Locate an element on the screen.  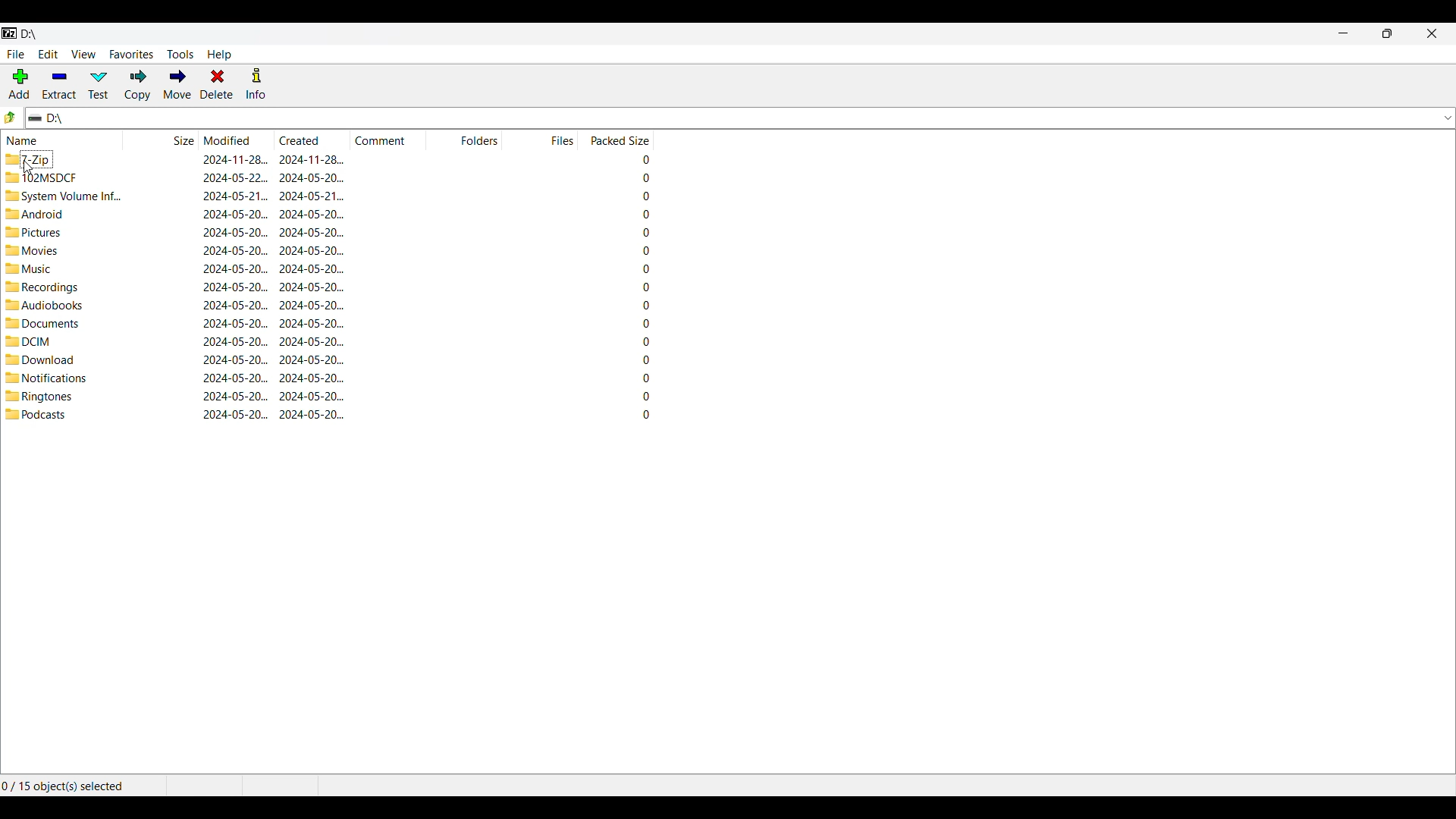
packed size is located at coordinates (639, 323).